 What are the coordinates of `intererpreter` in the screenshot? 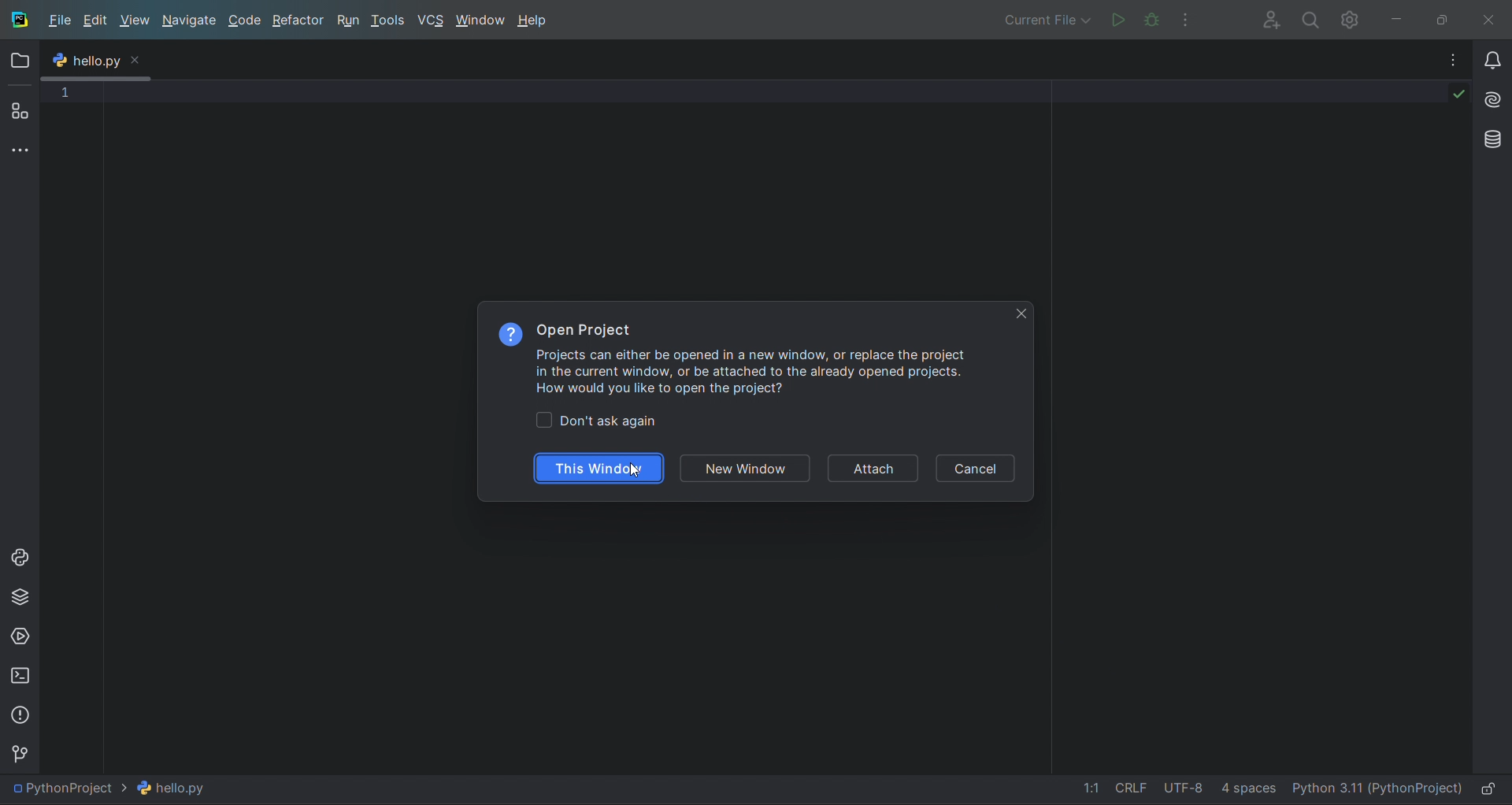 It's located at (1376, 790).